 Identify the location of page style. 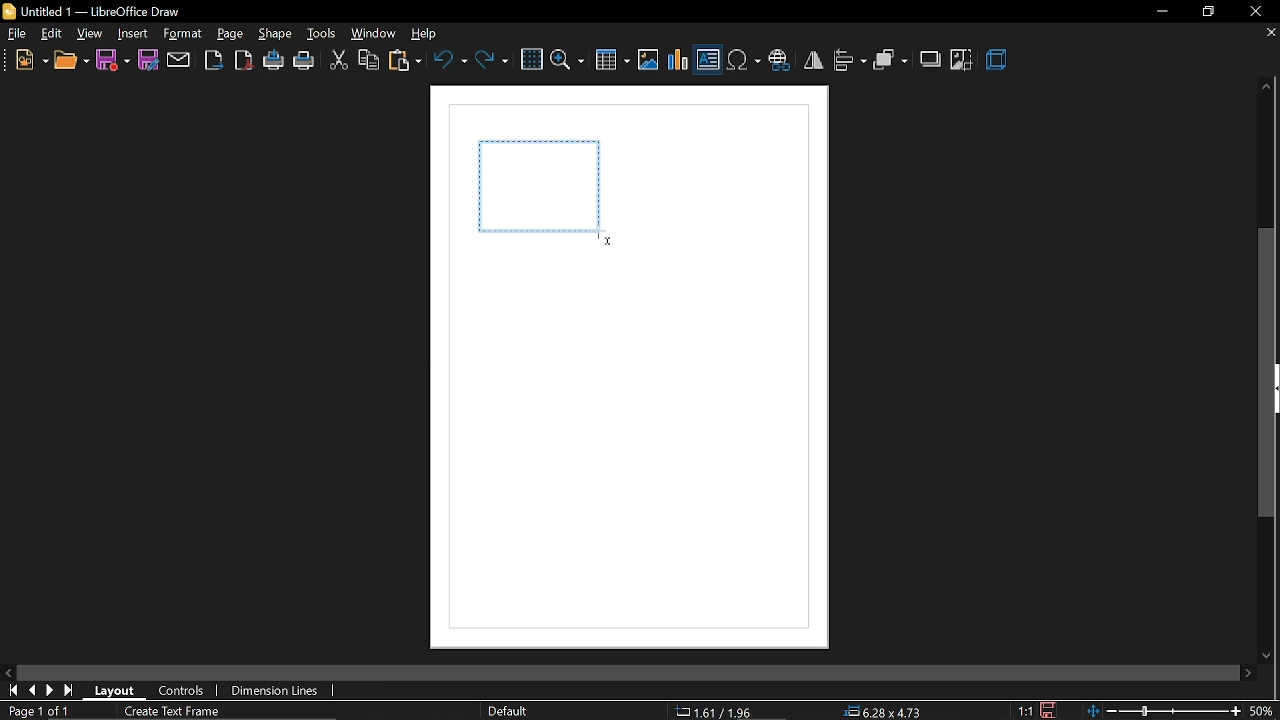
(511, 711).